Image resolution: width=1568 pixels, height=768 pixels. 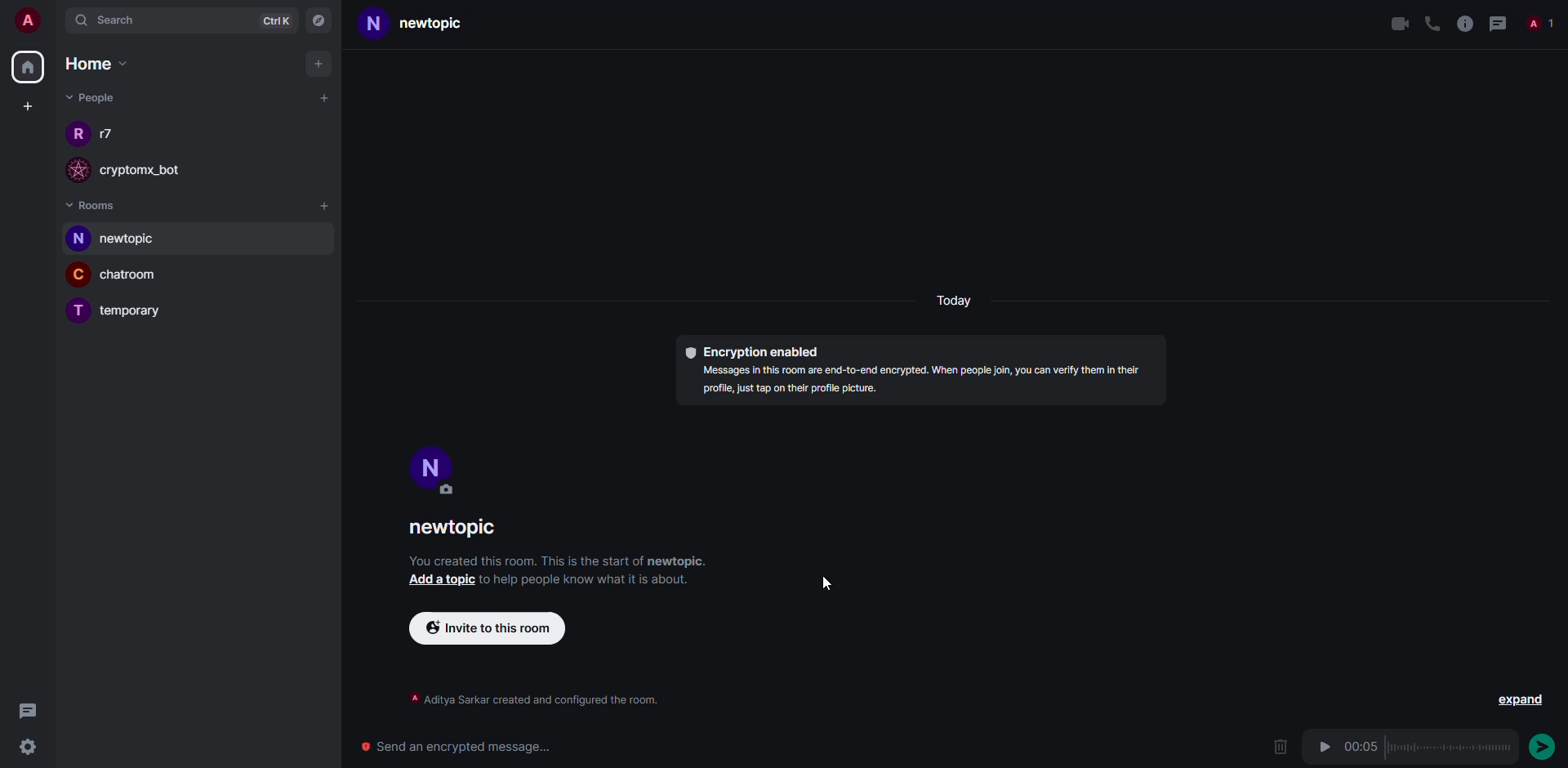 I want to click on info, so click(x=925, y=383).